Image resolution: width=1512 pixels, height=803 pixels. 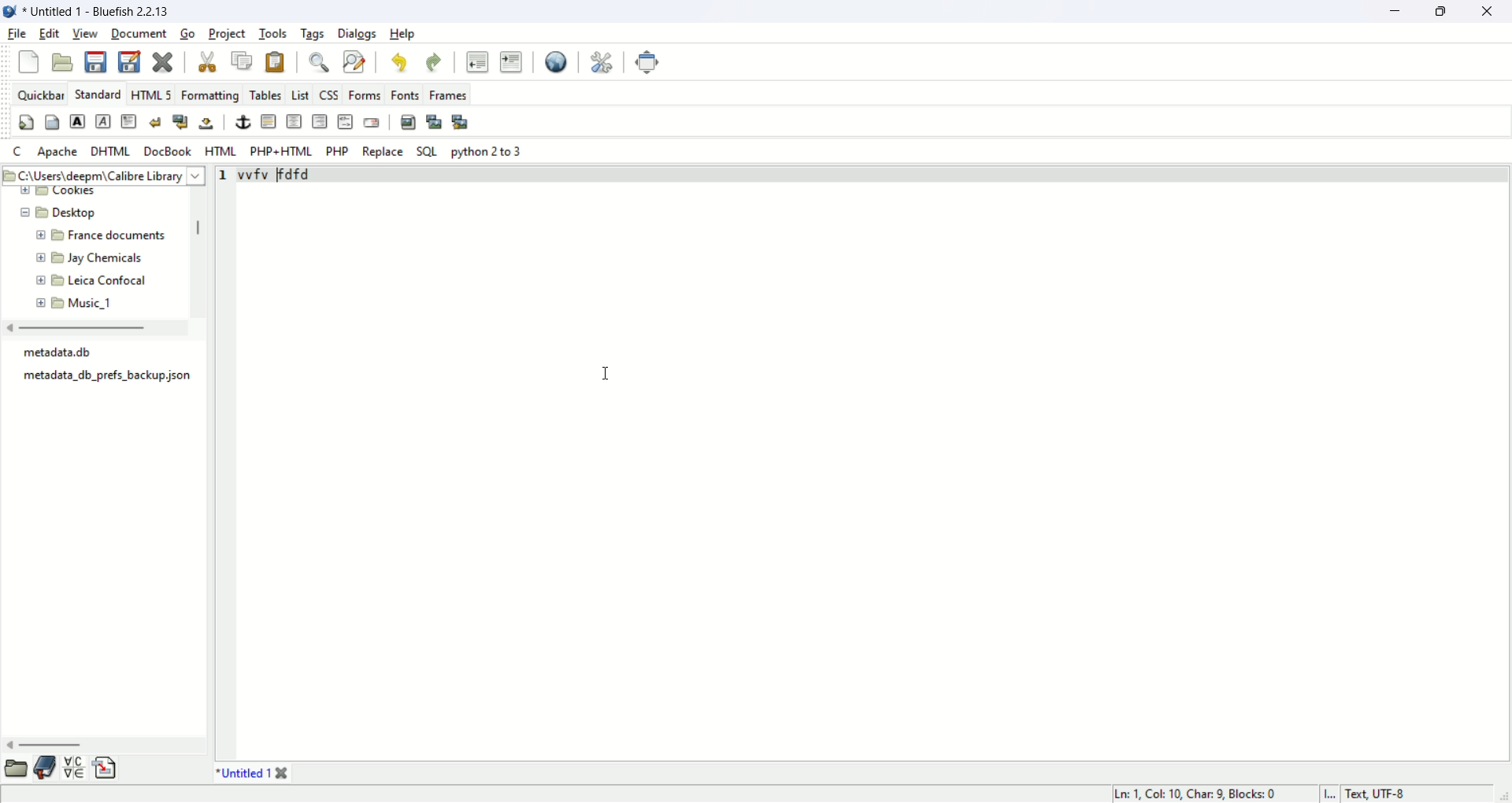 I want to click on quick settings, so click(x=28, y=122).